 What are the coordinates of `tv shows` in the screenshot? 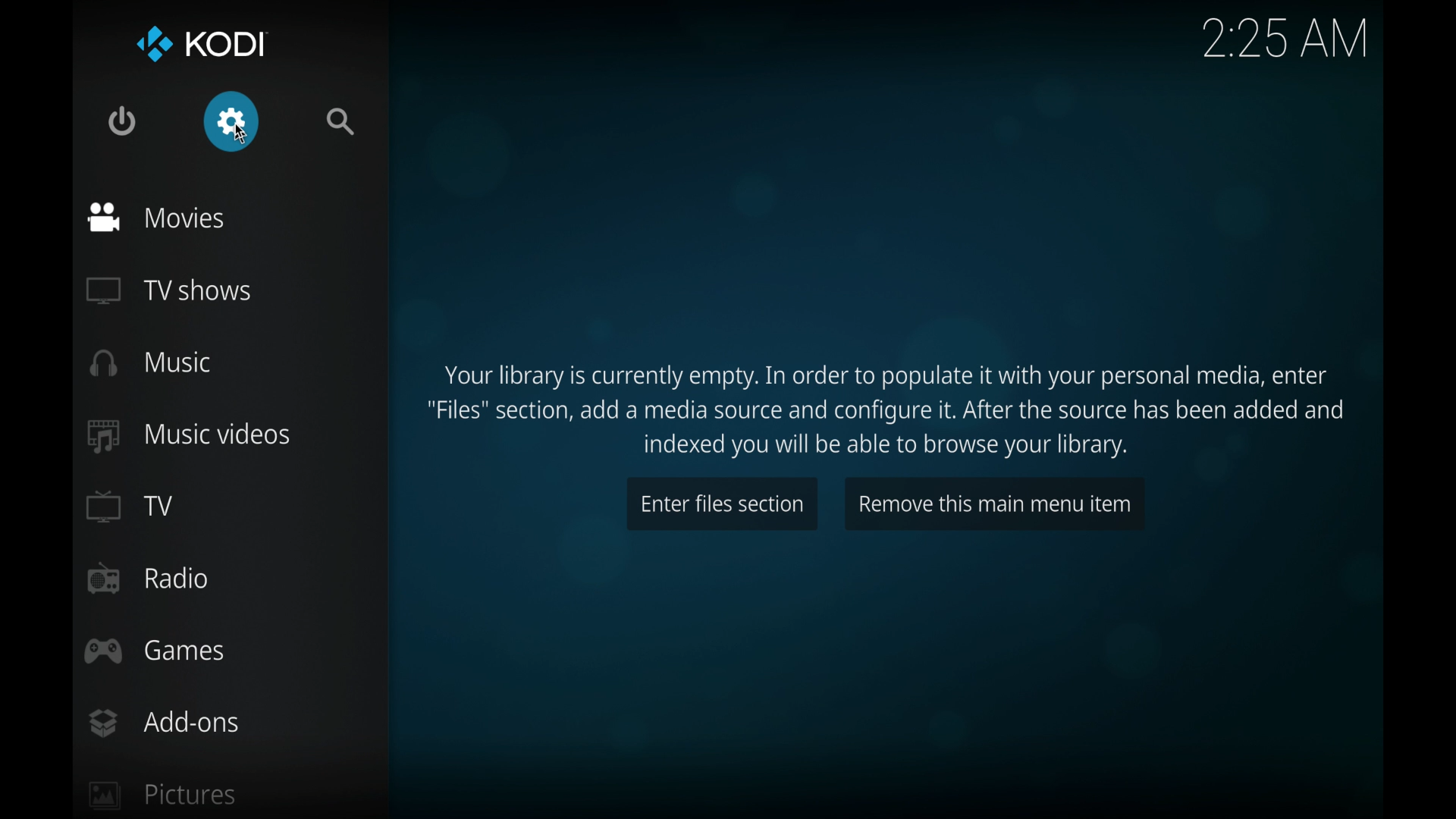 It's located at (165, 291).